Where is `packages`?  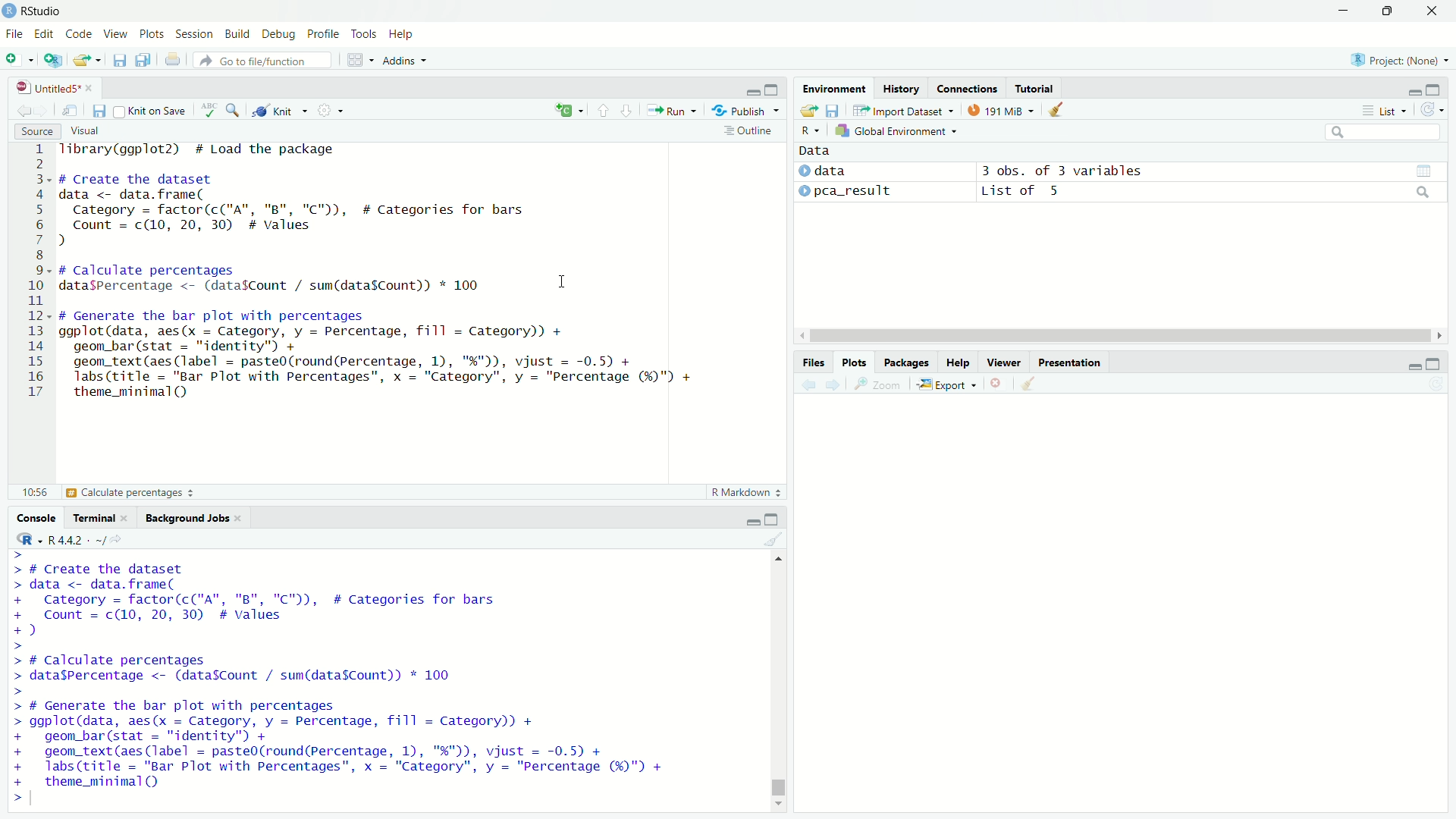
packages is located at coordinates (908, 362).